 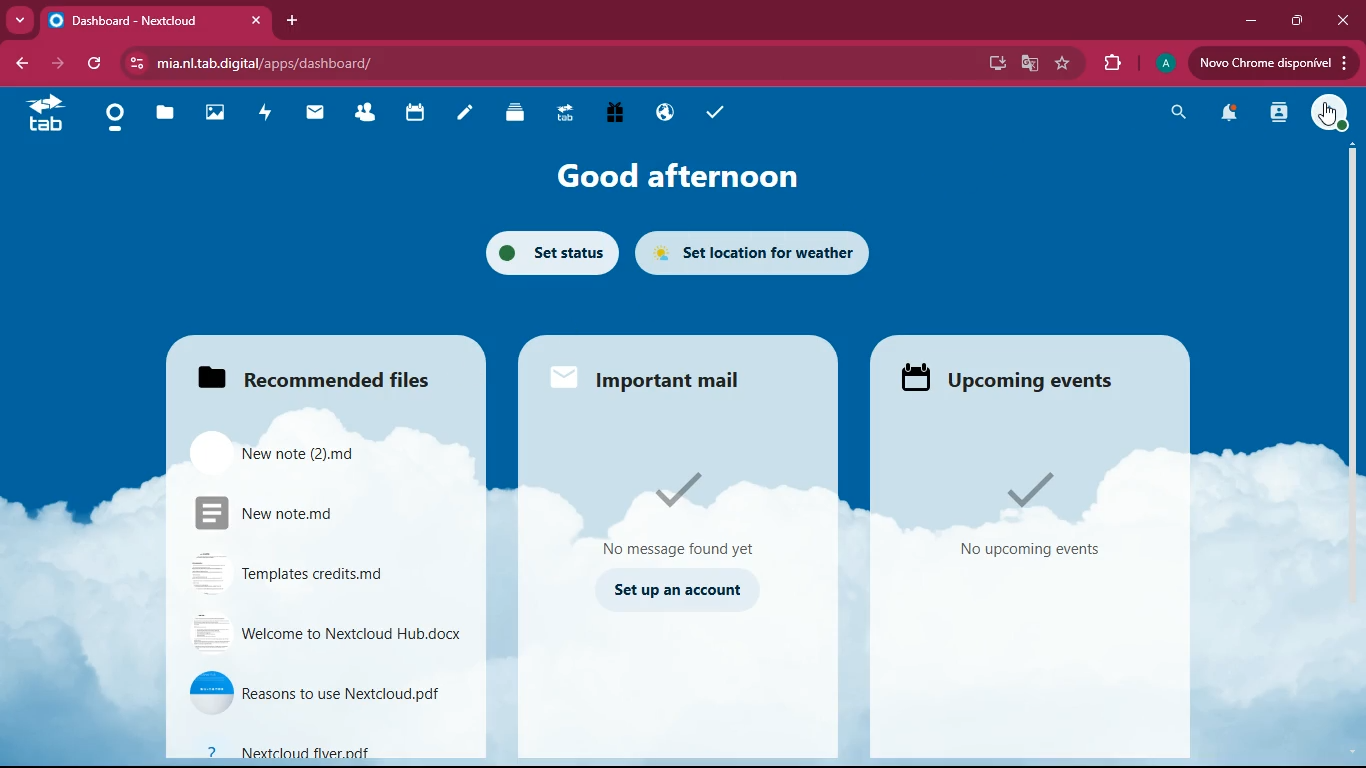 I want to click on set location, so click(x=764, y=252).